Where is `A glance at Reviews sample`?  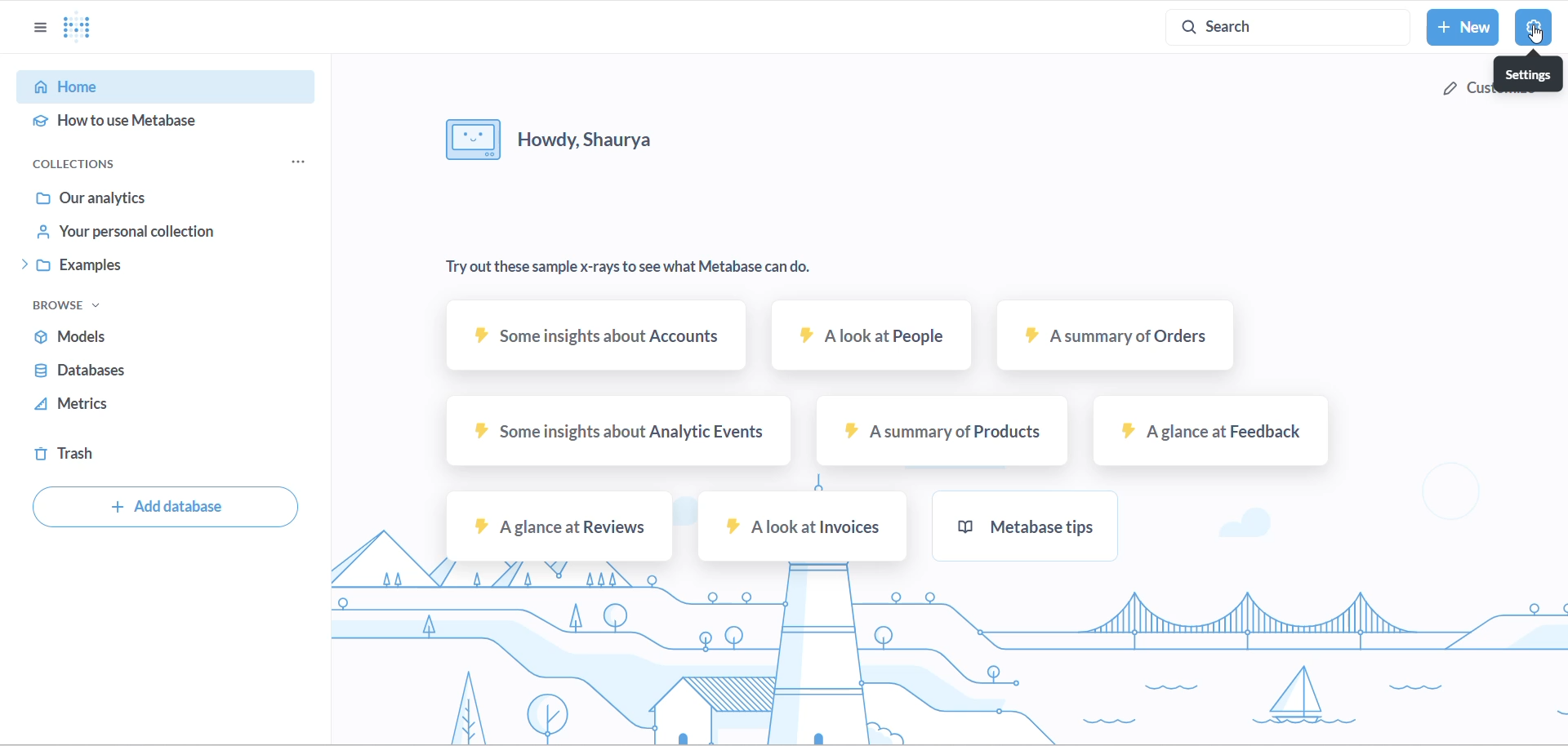 A glance at Reviews sample is located at coordinates (555, 527).